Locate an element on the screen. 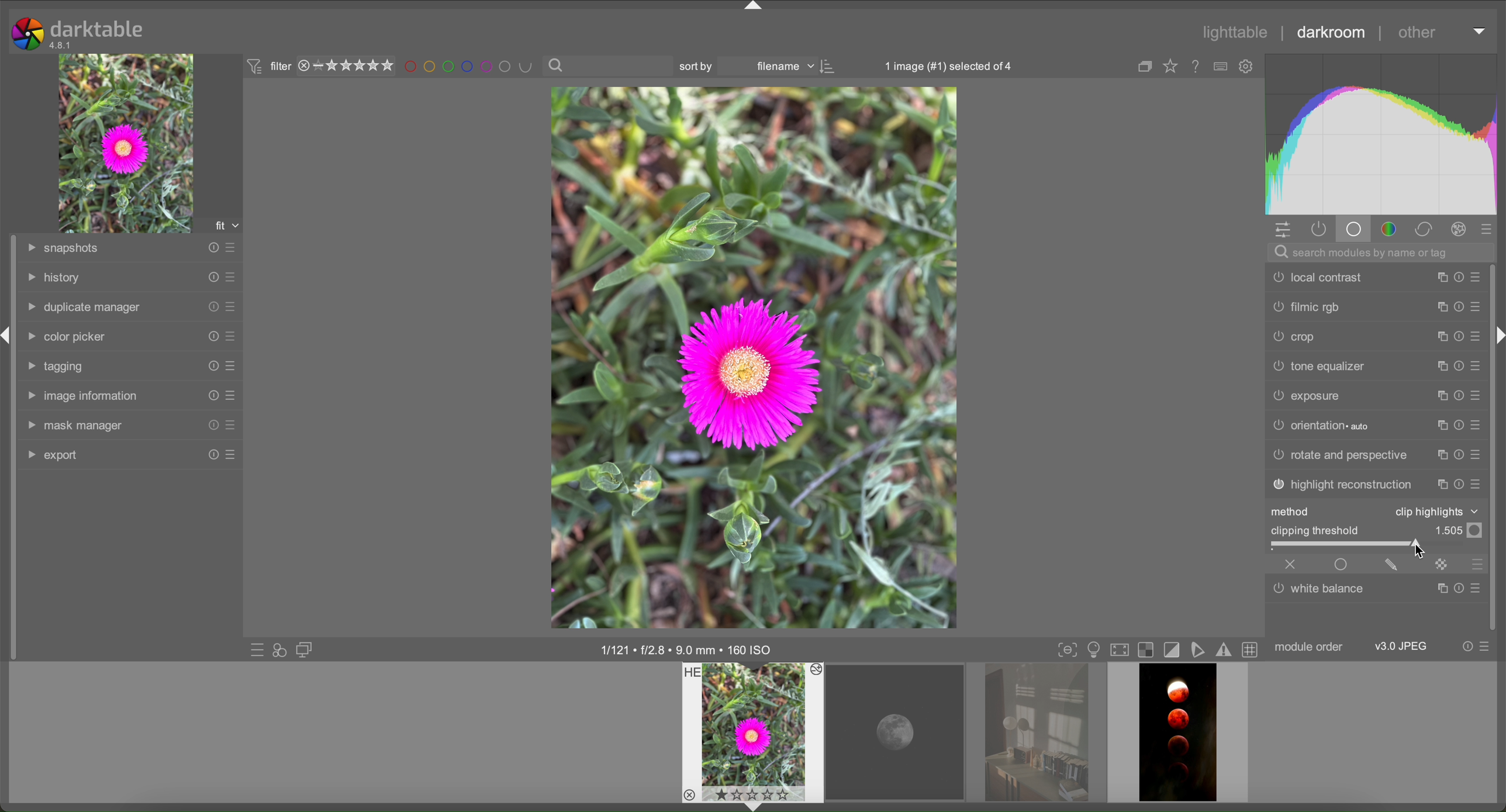  copy is located at coordinates (1439, 424).